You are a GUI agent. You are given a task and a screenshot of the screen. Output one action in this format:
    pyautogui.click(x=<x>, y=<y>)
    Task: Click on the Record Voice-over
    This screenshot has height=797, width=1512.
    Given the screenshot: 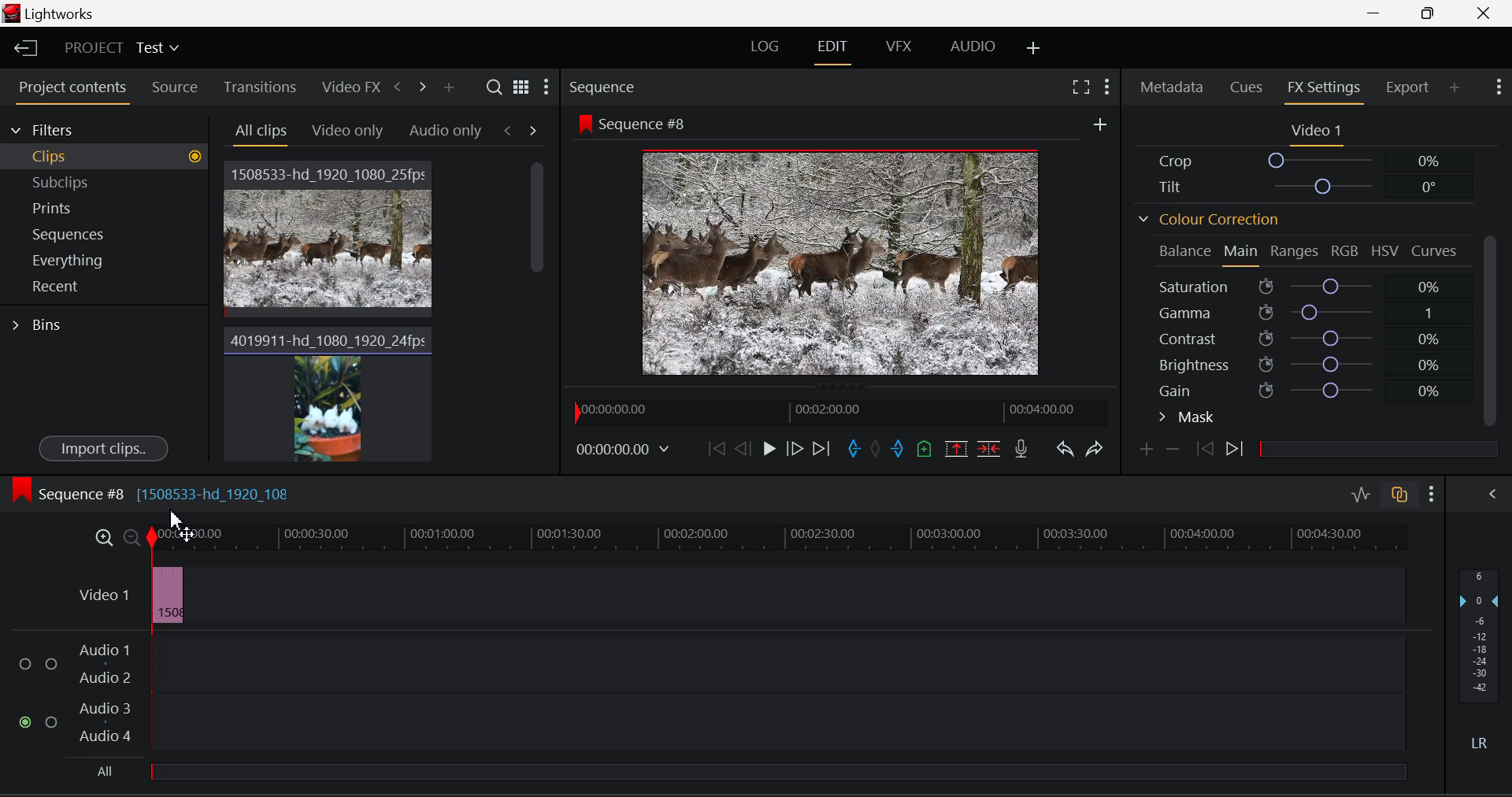 What is the action you would take?
    pyautogui.click(x=1021, y=449)
    